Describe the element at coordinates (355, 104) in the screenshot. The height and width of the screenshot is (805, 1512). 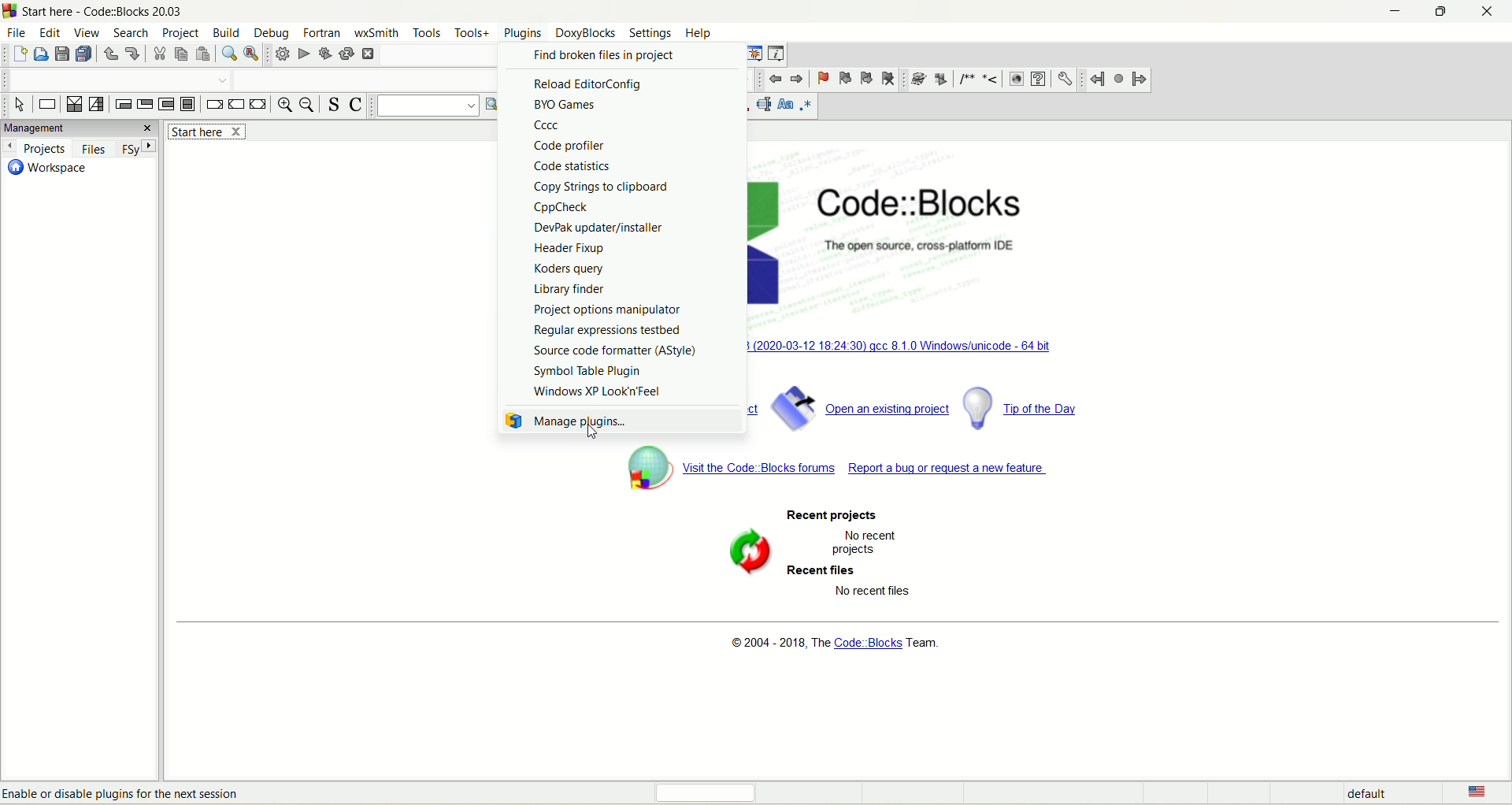
I see `toggle comment` at that location.